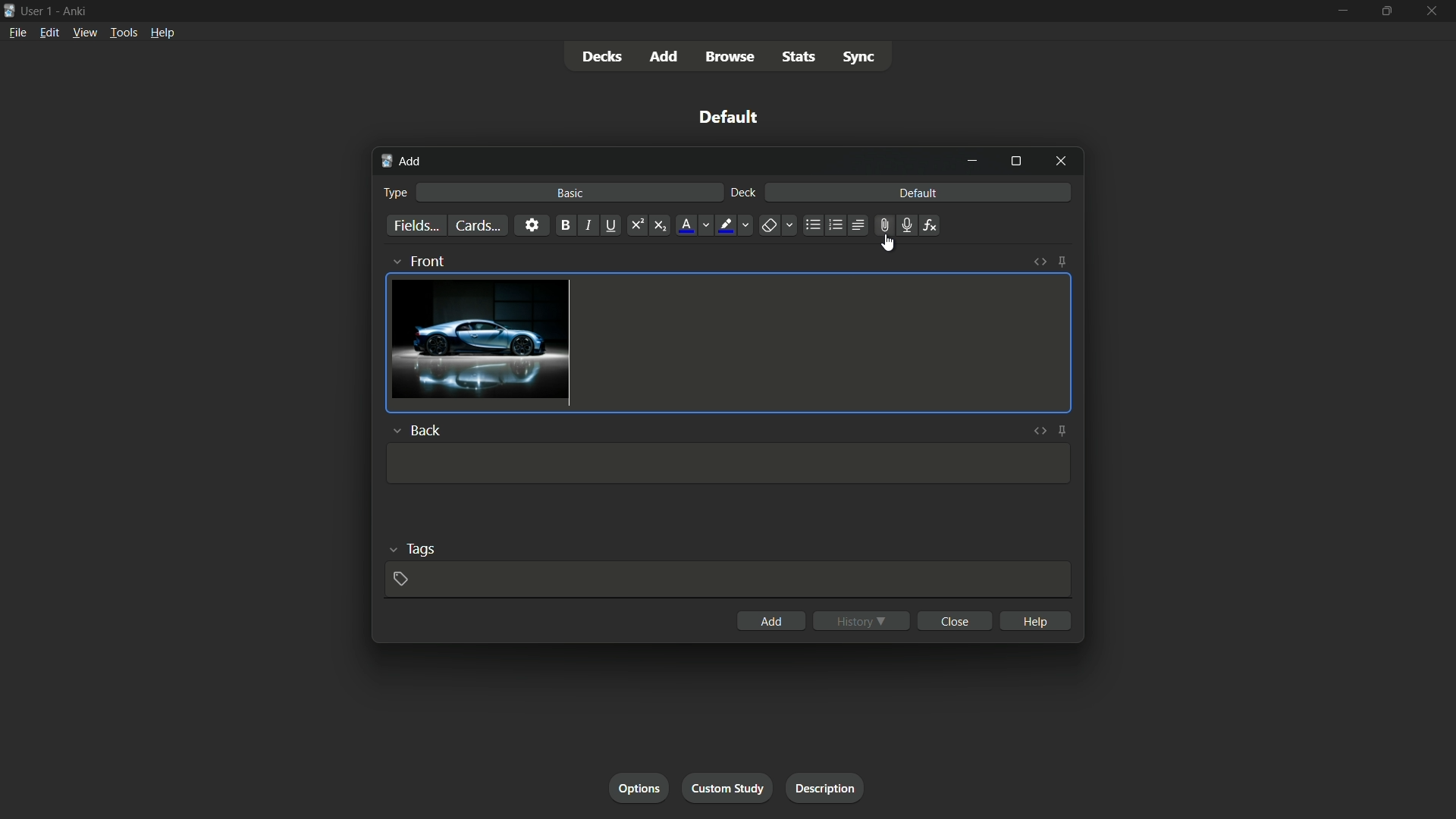 Image resolution: width=1456 pixels, height=819 pixels. I want to click on file menu, so click(16, 31).